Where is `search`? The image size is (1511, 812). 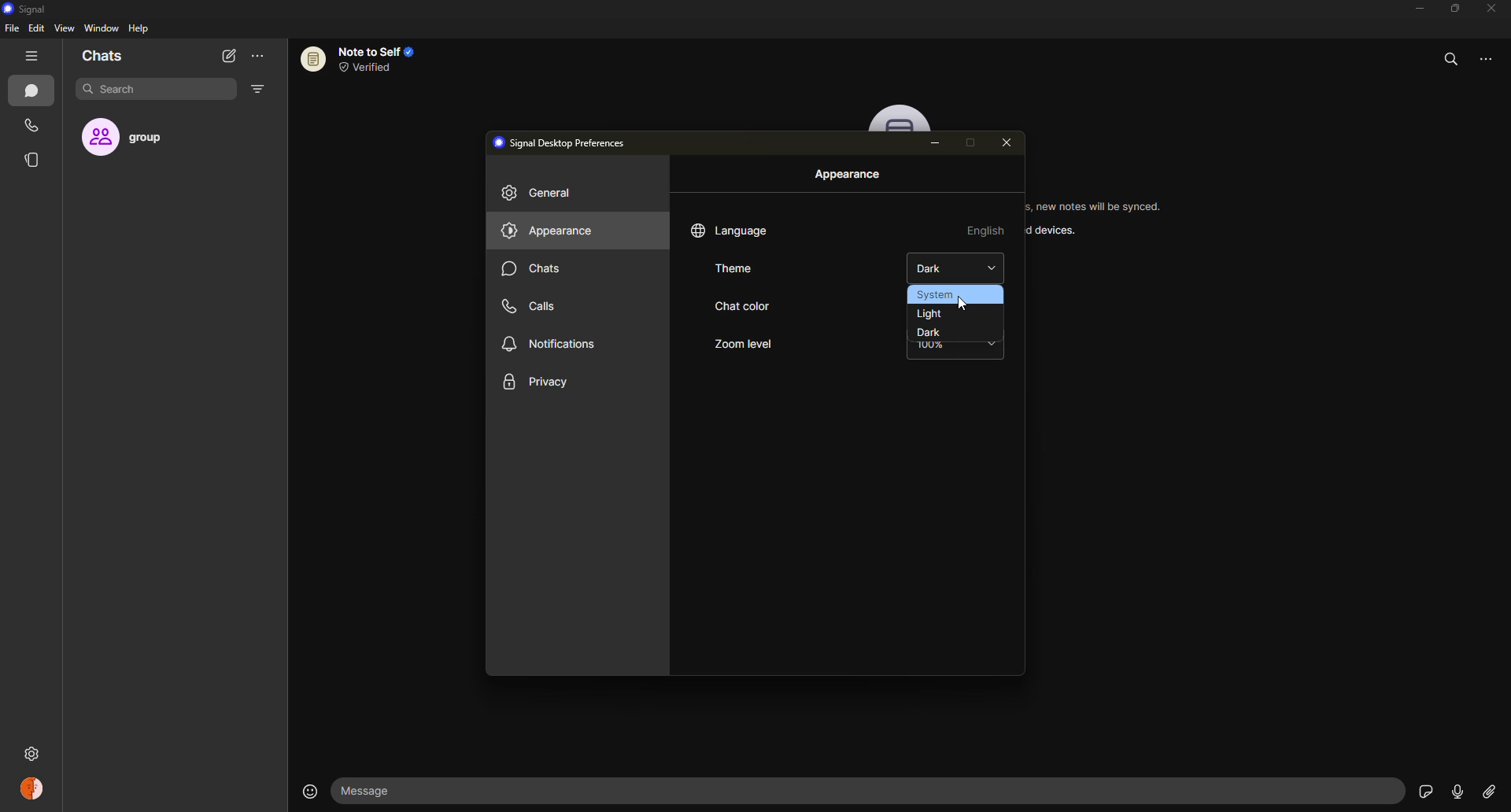
search is located at coordinates (123, 90).